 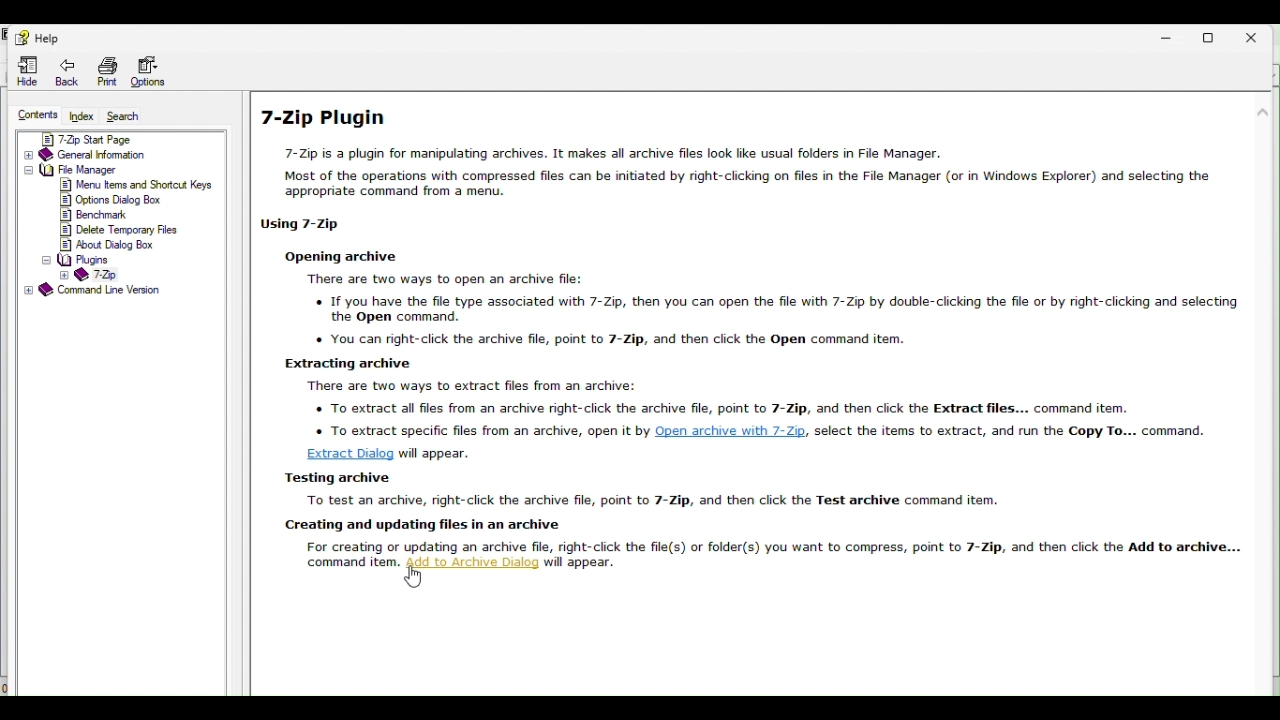 What do you see at coordinates (101, 291) in the screenshot?
I see `Command line version ` at bounding box center [101, 291].